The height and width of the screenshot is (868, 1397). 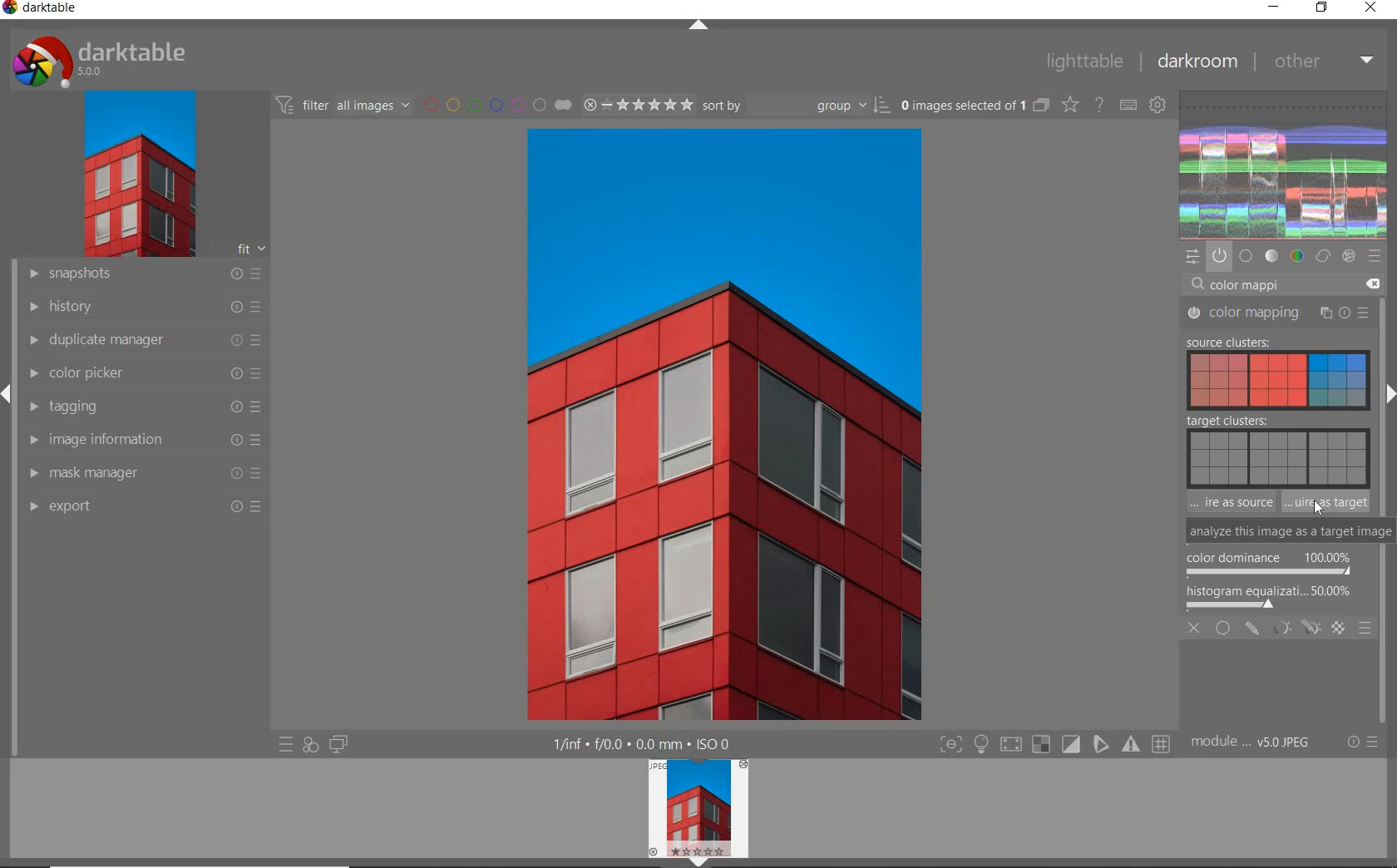 What do you see at coordinates (1229, 502) in the screenshot?
I see `ANALYZE THIS IMAGE AS A SOURCE IMAGE` at bounding box center [1229, 502].